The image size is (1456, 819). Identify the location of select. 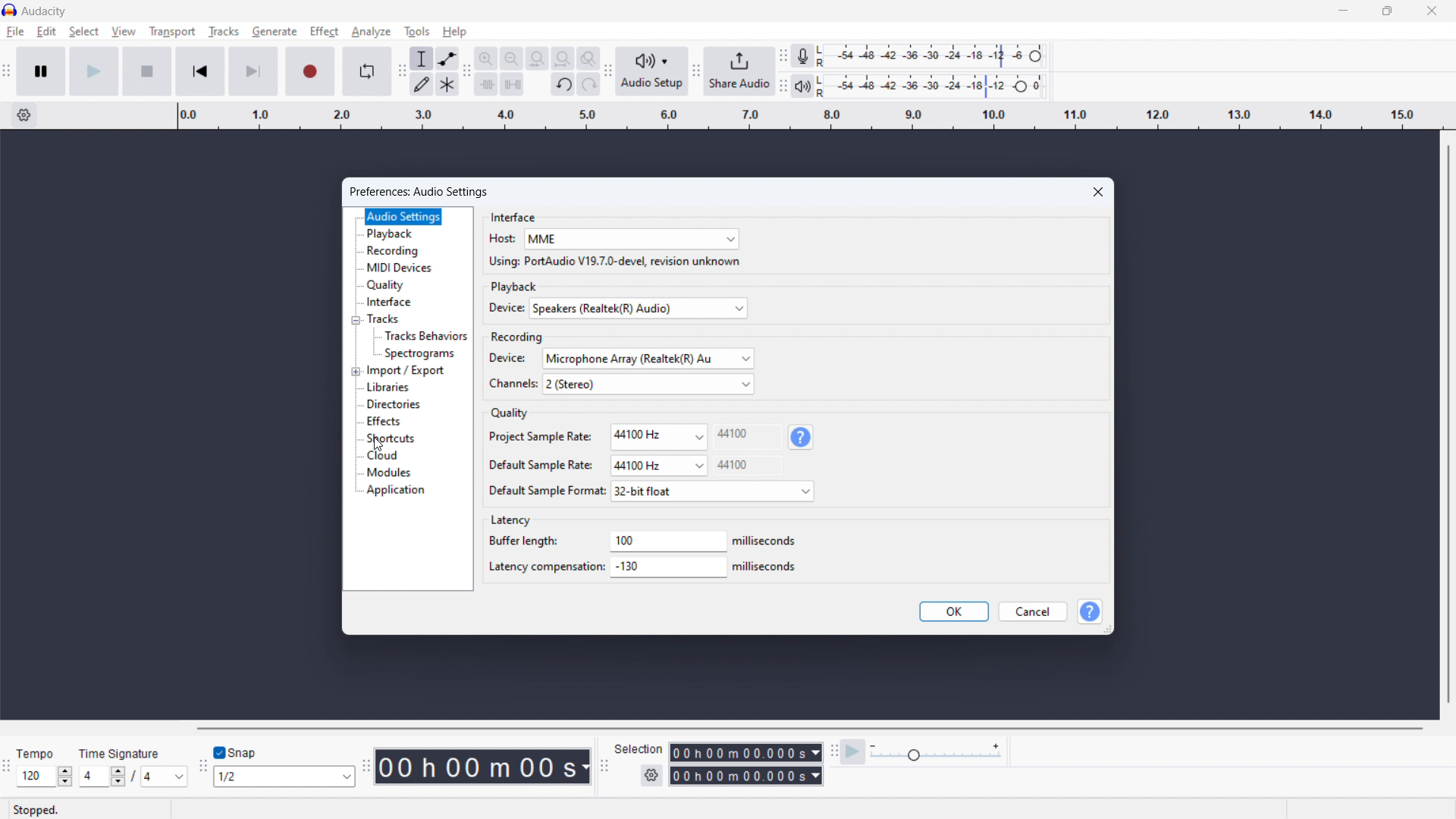
(84, 31).